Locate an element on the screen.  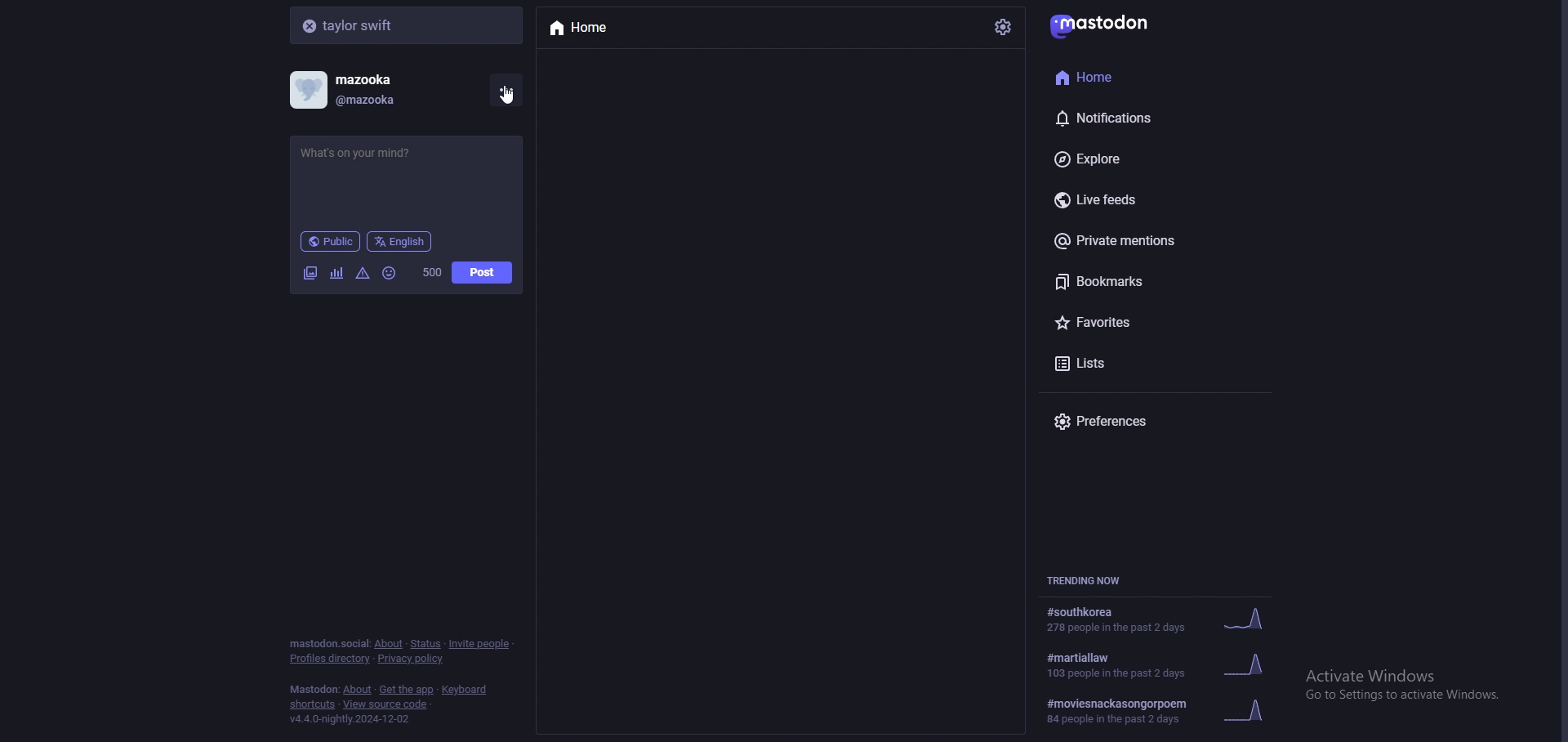
profiles directory is located at coordinates (330, 660).